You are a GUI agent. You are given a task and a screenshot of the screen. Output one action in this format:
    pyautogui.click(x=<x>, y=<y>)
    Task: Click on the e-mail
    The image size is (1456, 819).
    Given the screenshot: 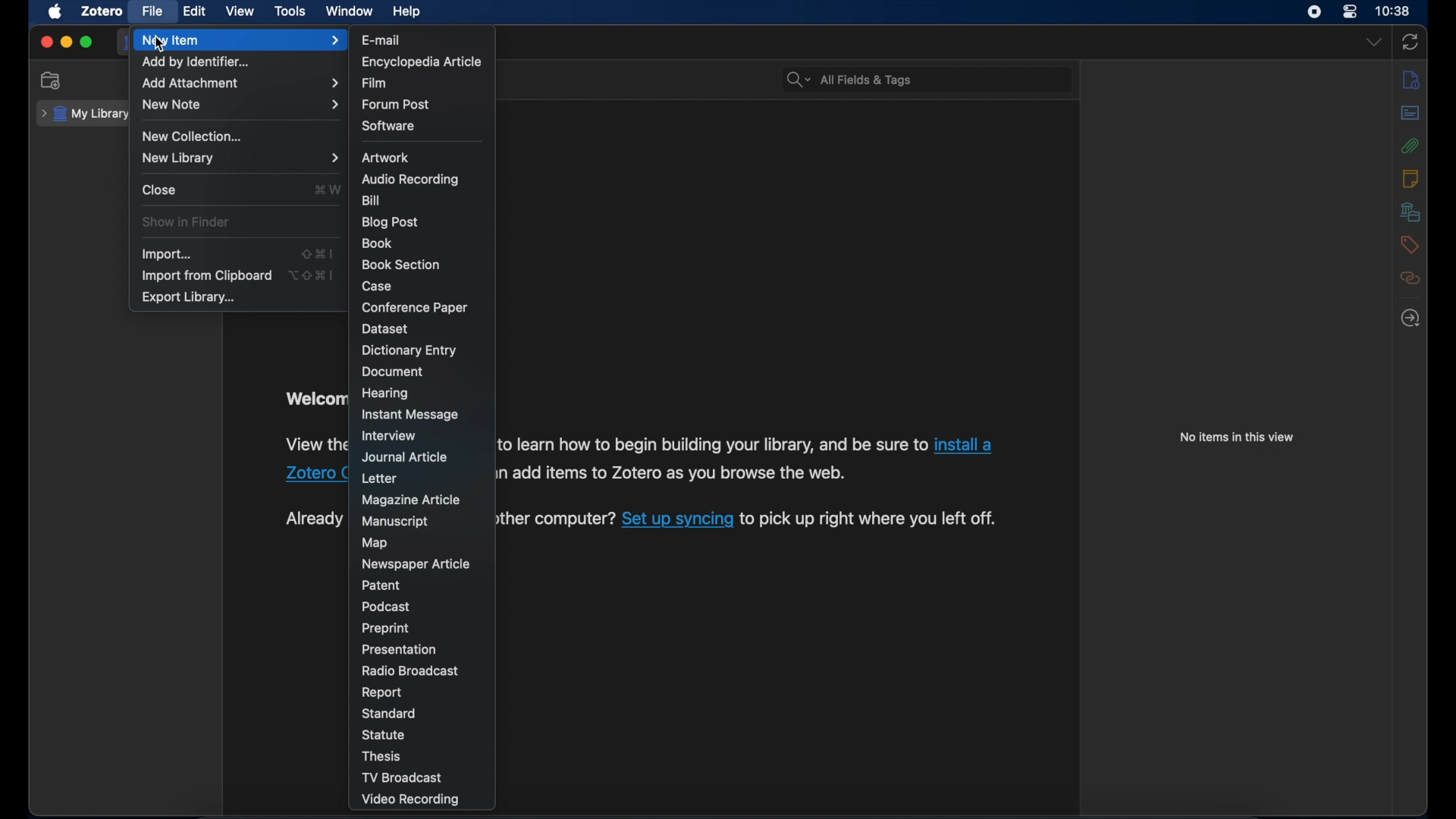 What is the action you would take?
    pyautogui.click(x=385, y=40)
    